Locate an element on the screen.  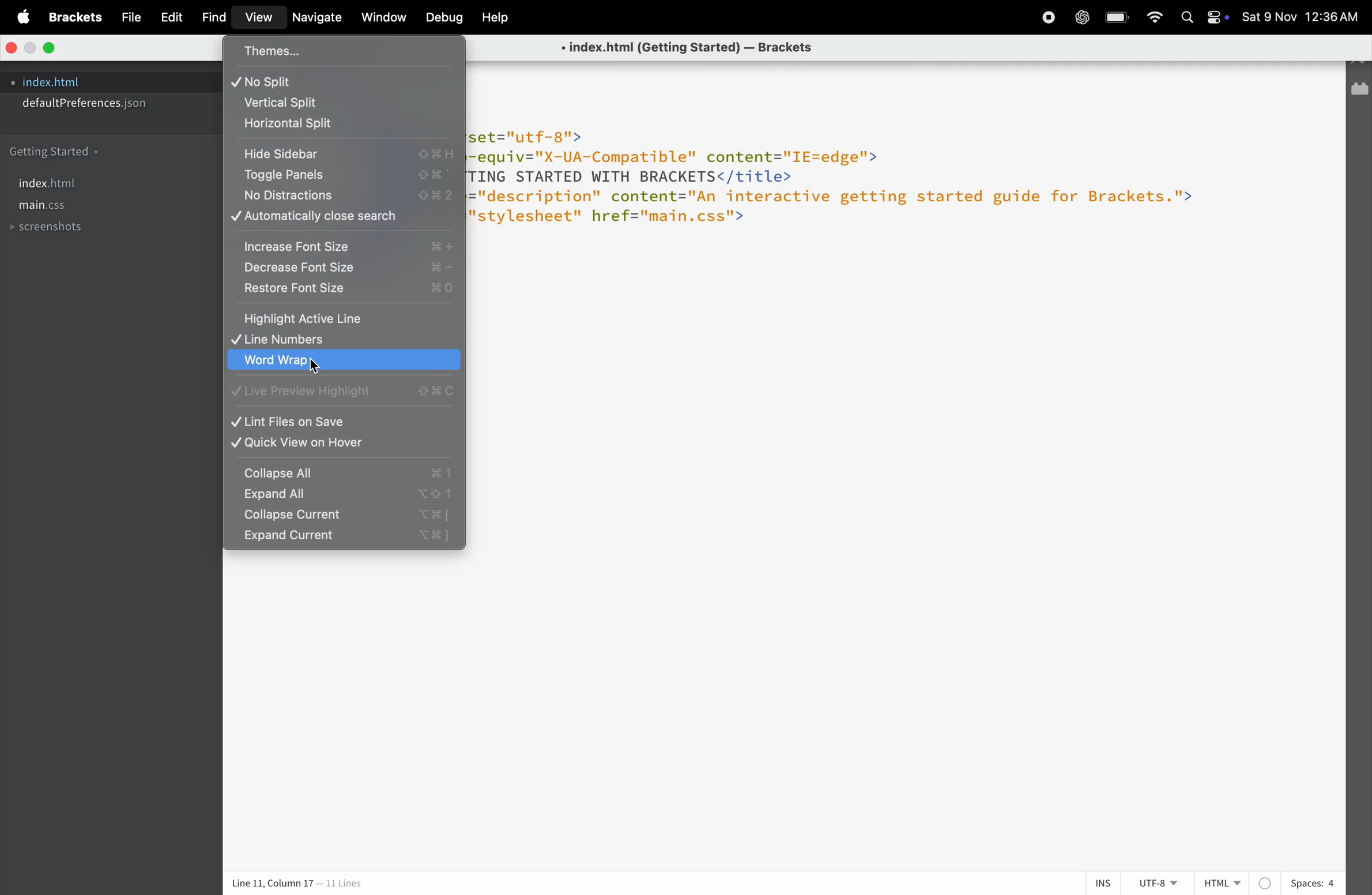
toggle panels is located at coordinates (342, 175).